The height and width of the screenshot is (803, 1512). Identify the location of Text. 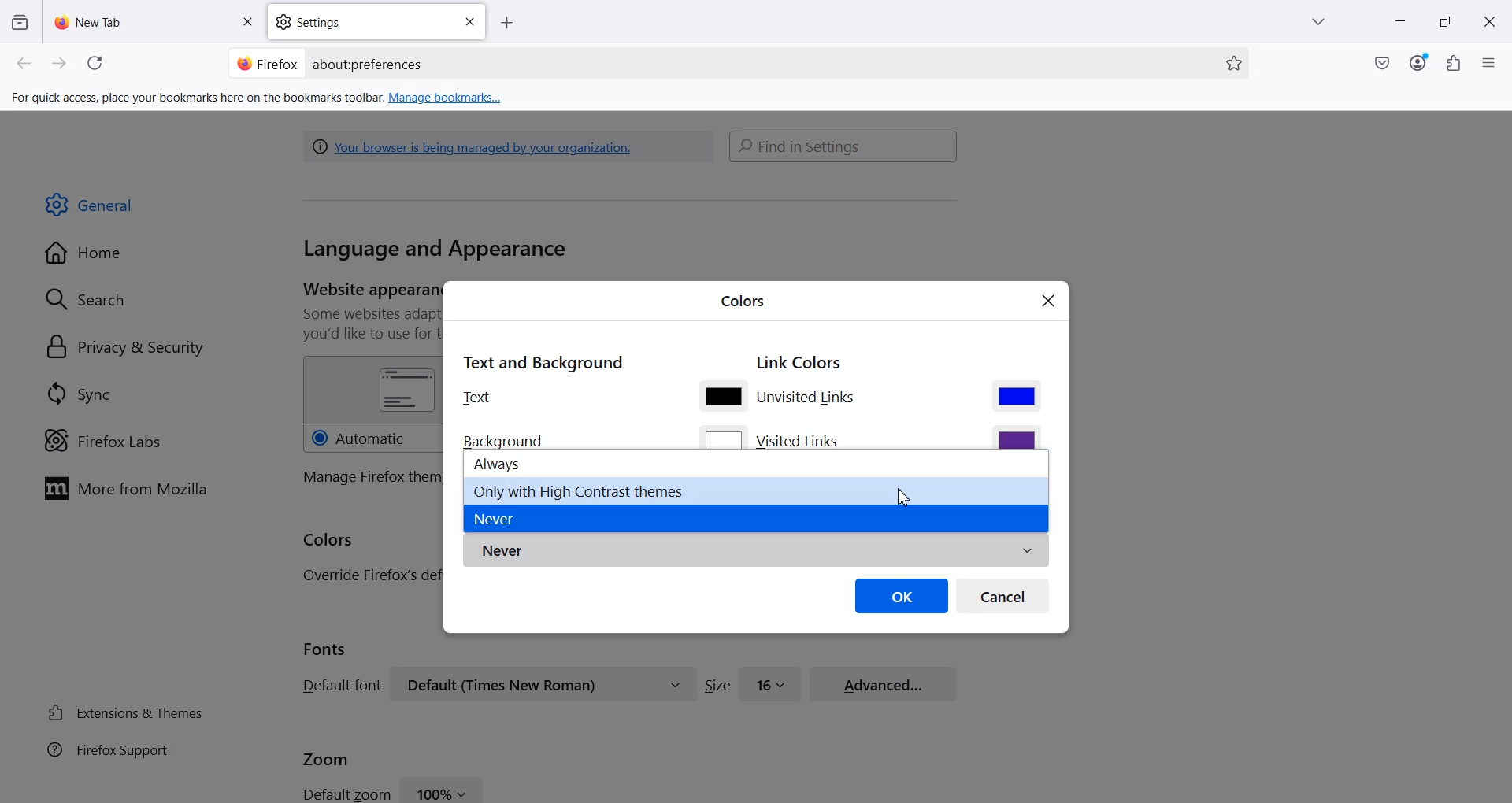
(477, 397).